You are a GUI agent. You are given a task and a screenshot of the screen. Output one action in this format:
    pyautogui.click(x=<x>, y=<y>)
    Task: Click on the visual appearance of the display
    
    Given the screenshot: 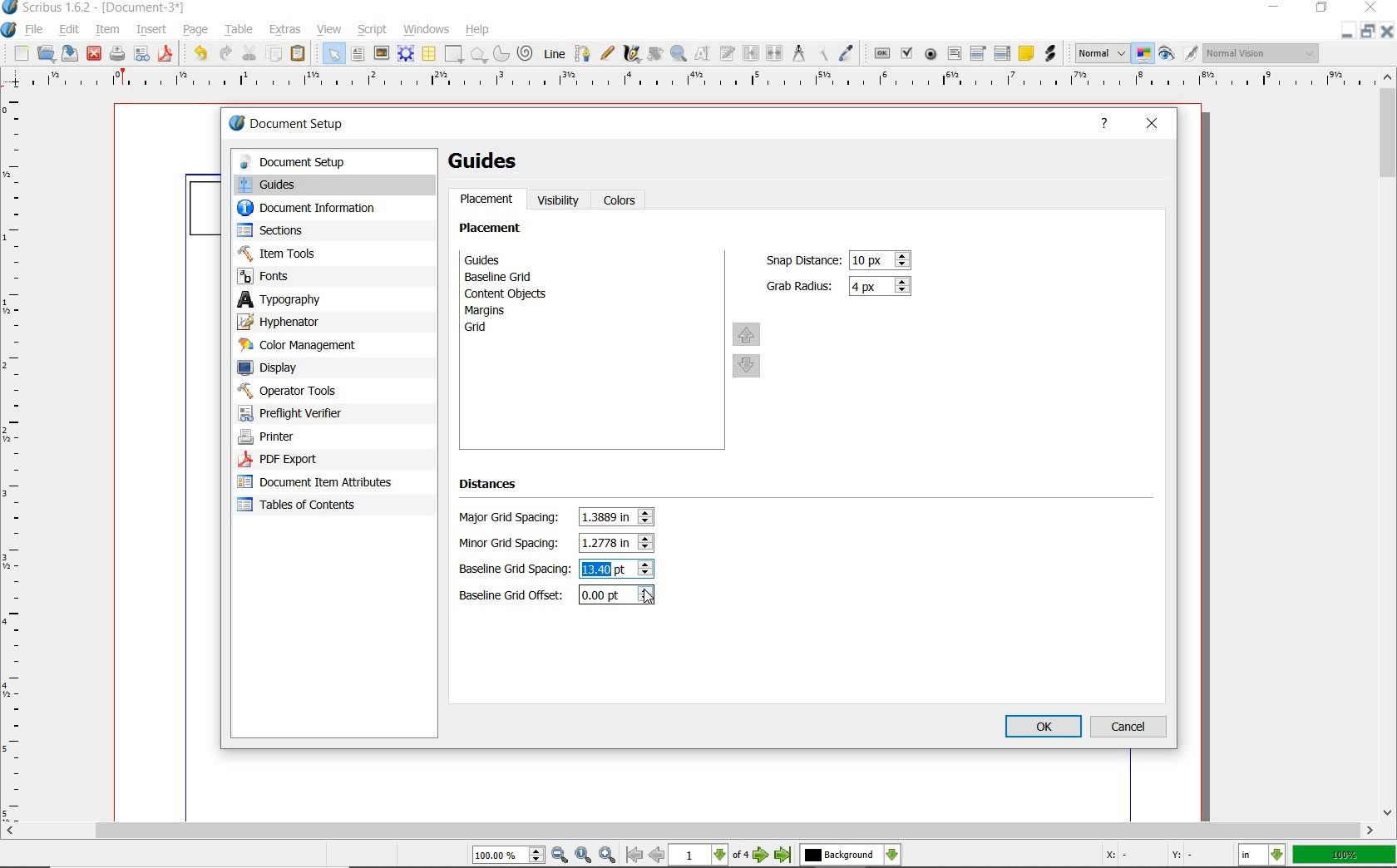 What is the action you would take?
    pyautogui.click(x=1262, y=54)
    